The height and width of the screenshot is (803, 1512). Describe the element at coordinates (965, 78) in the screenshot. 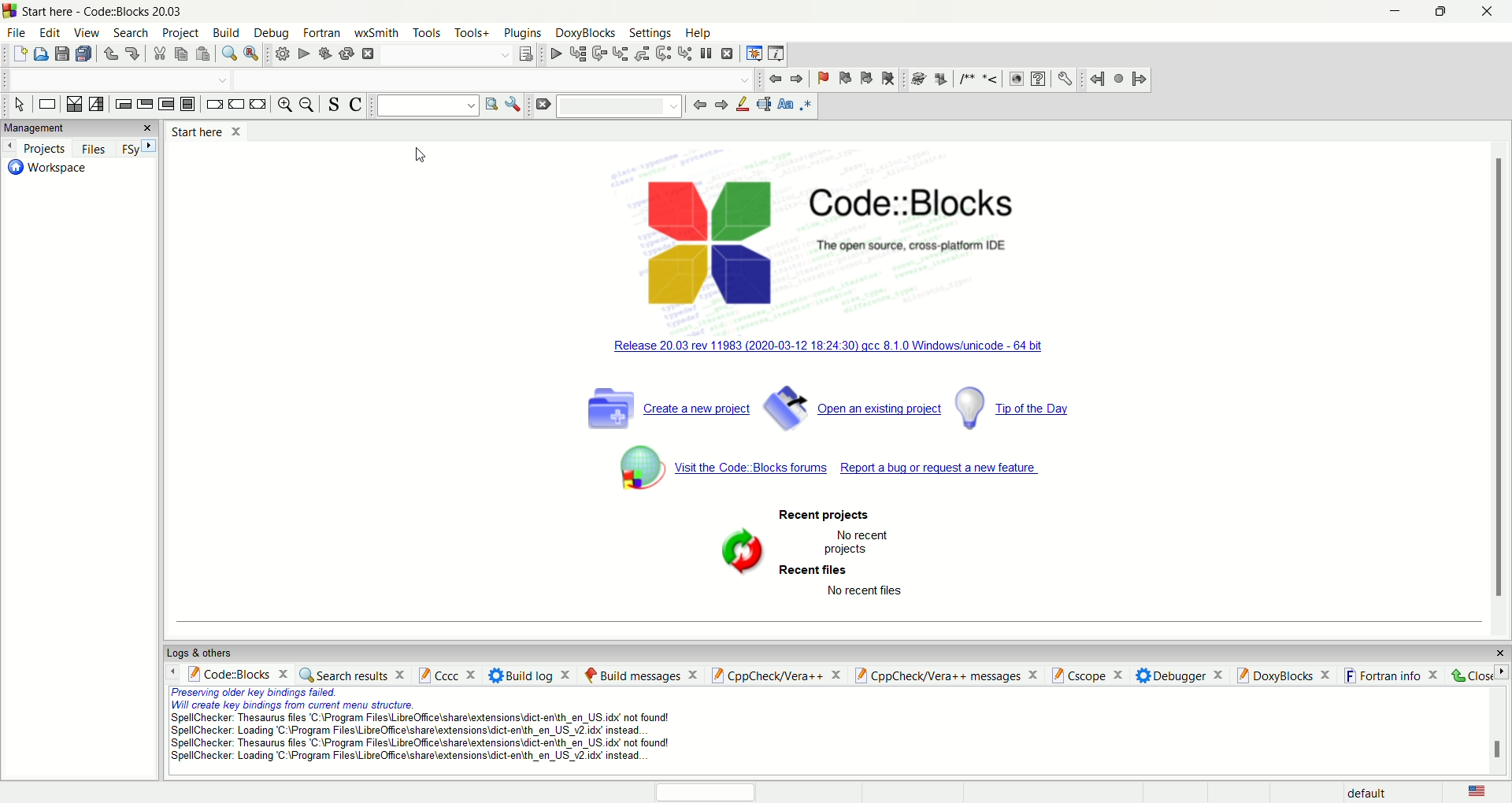

I see `Insert comment block` at that location.